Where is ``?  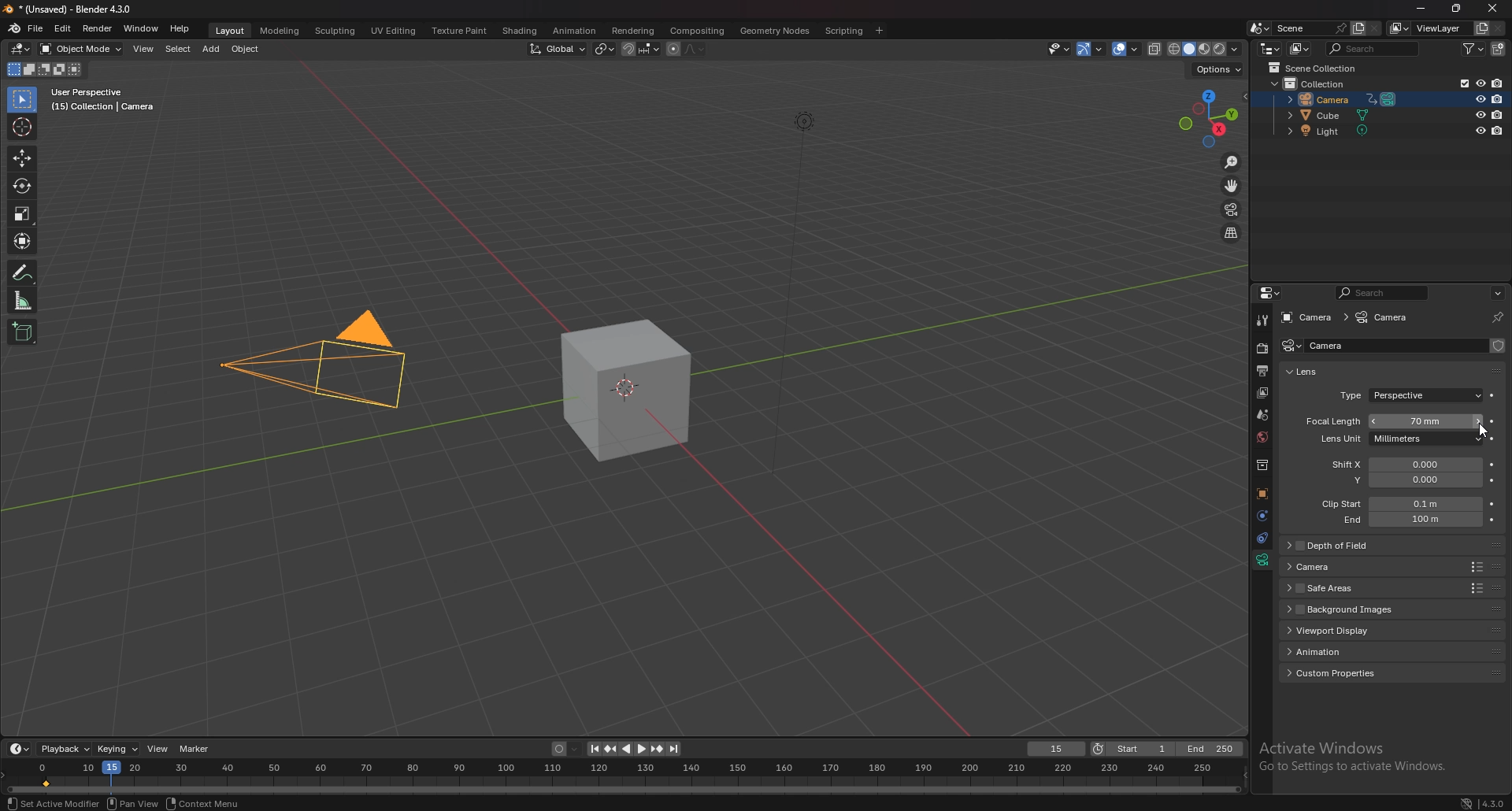
 is located at coordinates (135, 803).